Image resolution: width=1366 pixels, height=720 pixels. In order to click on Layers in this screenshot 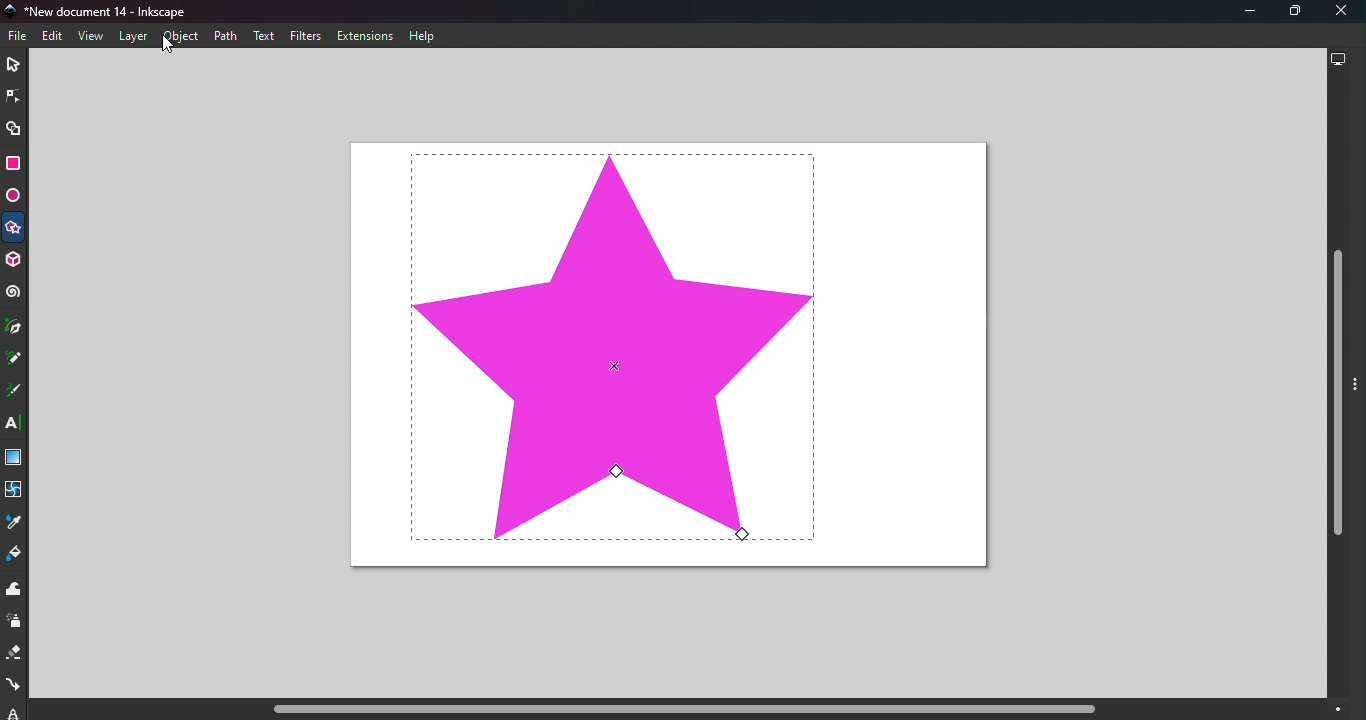, I will do `click(132, 37)`.